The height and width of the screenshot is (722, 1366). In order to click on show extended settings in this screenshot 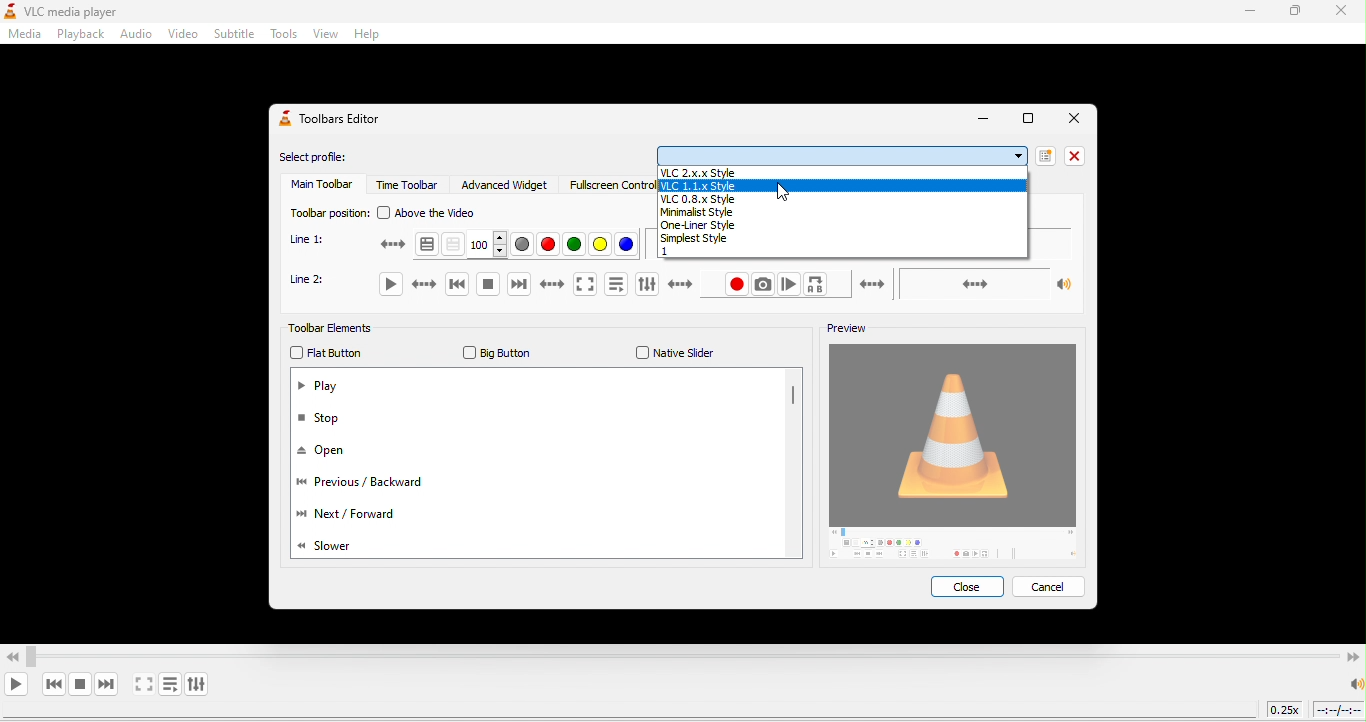, I will do `click(650, 285)`.